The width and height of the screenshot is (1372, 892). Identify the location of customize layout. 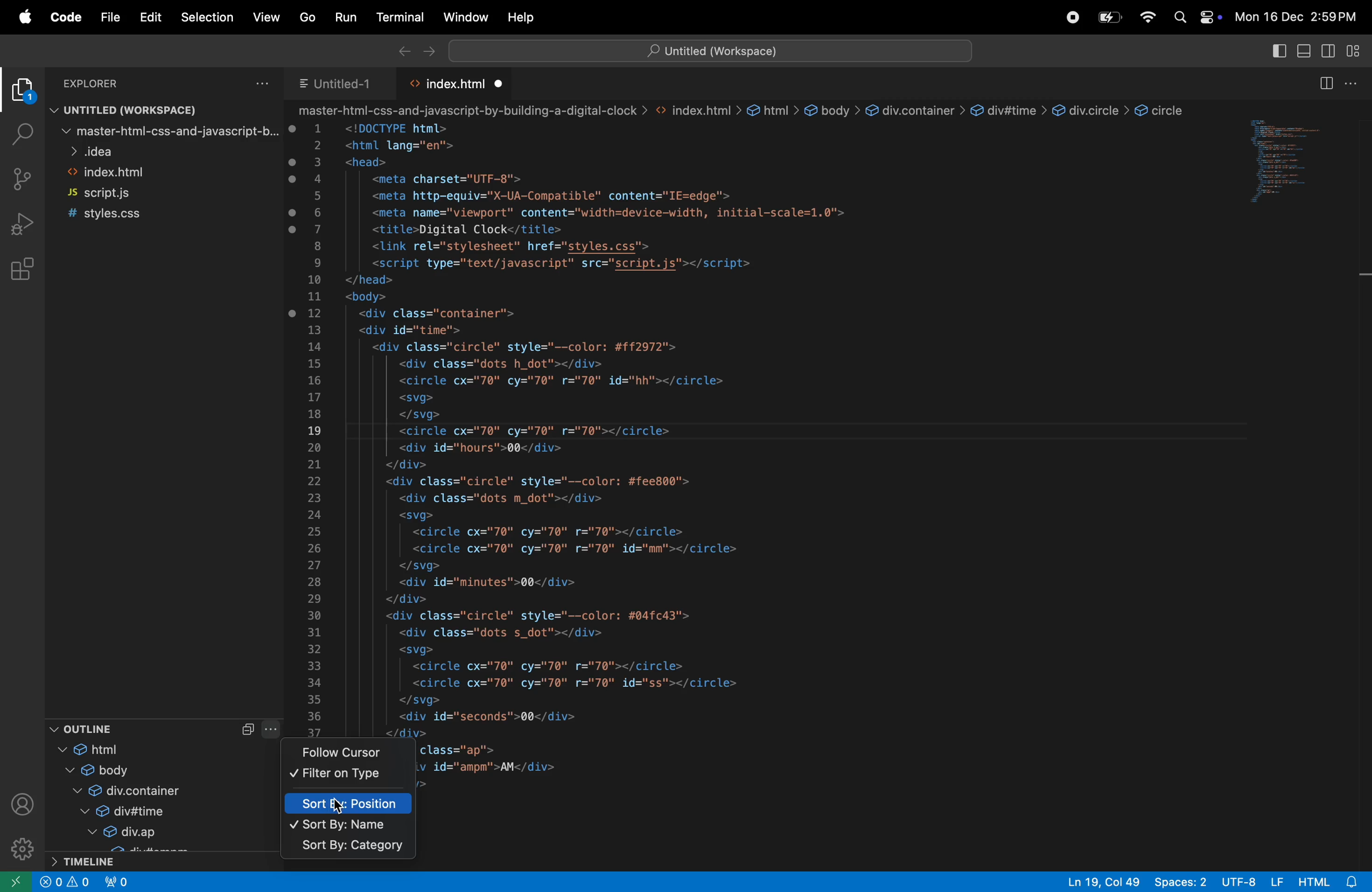
(1355, 50).